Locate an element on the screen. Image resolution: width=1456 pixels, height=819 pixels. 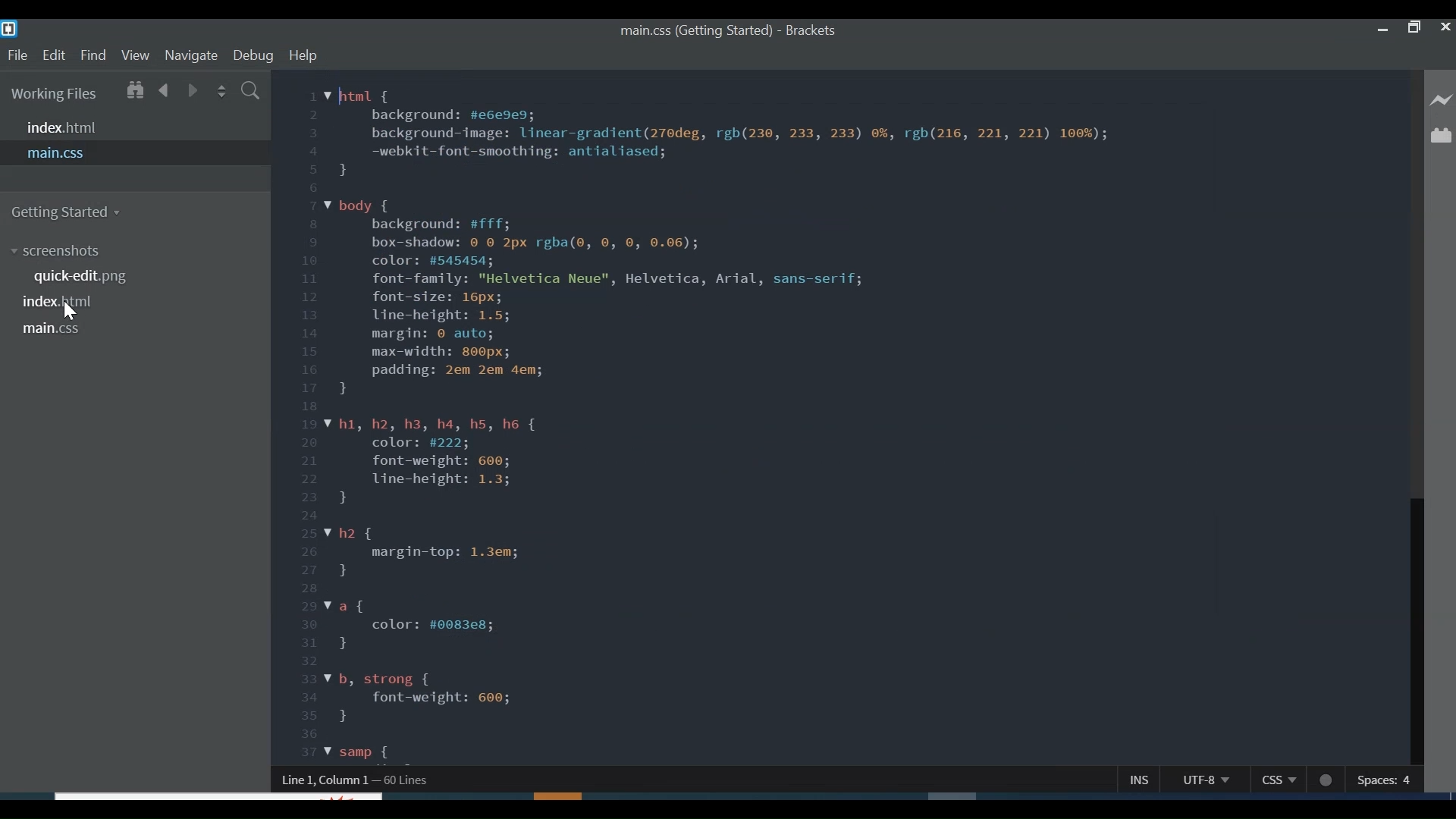
Brackets Desktop icon is located at coordinates (11, 30).